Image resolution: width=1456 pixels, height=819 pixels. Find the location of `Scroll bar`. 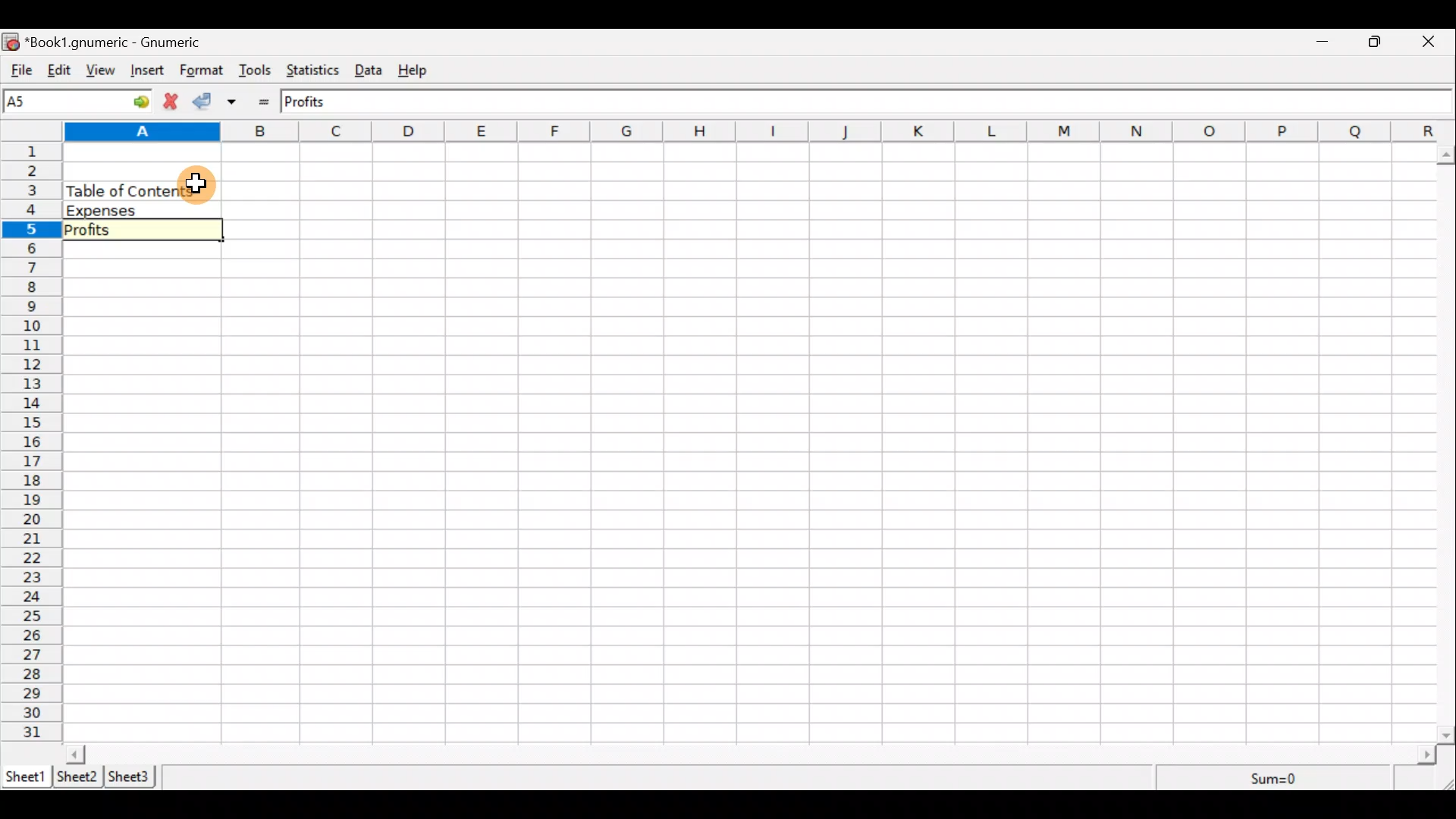

Scroll bar is located at coordinates (752, 754).